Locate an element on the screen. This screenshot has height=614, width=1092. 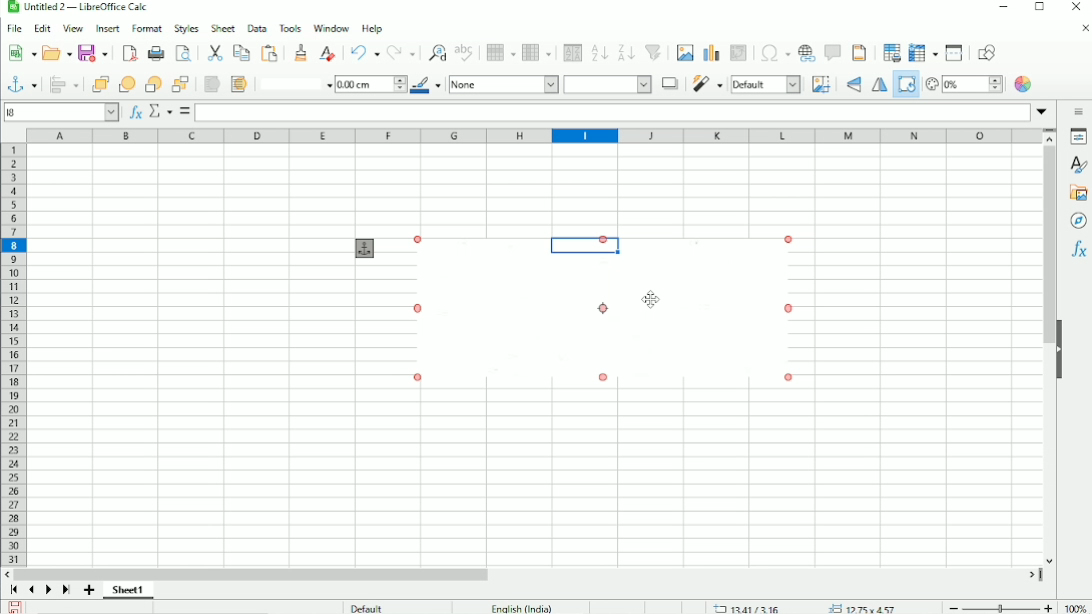
Find and rest is located at coordinates (435, 51).